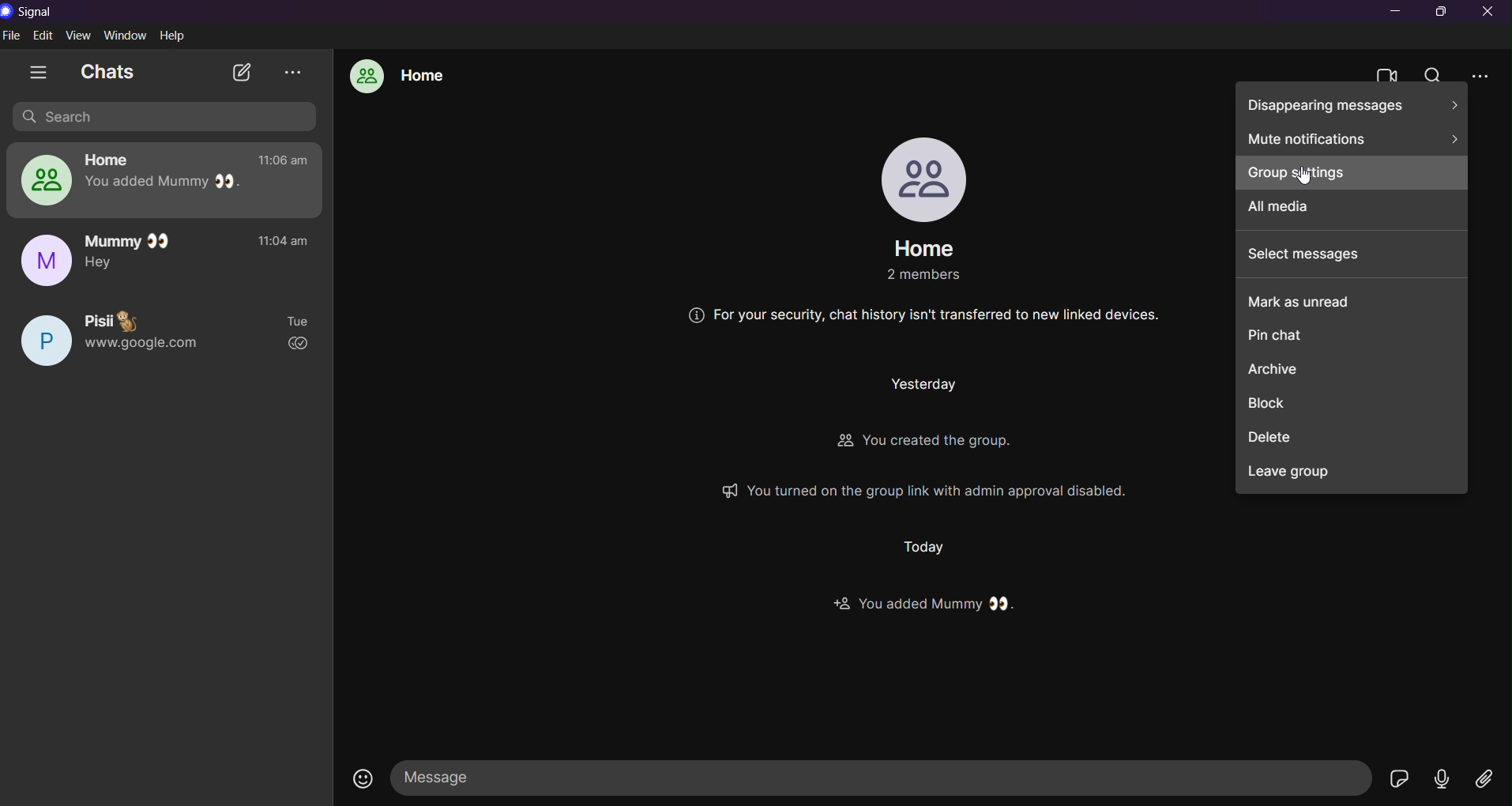 This screenshot has width=1512, height=806. I want to click on group name, so click(923, 247).